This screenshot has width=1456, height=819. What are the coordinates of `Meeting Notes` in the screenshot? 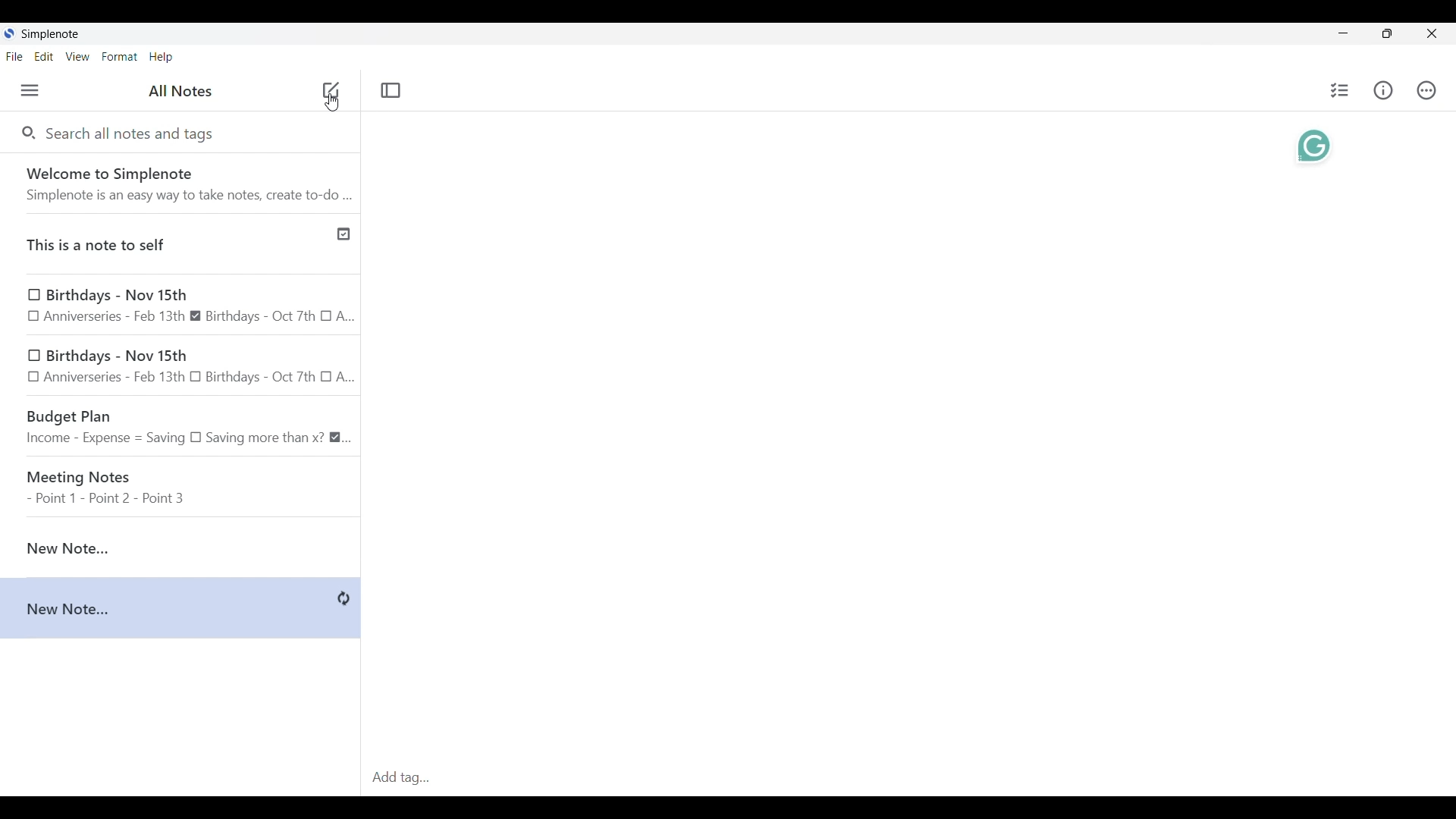 It's located at (182, 482).